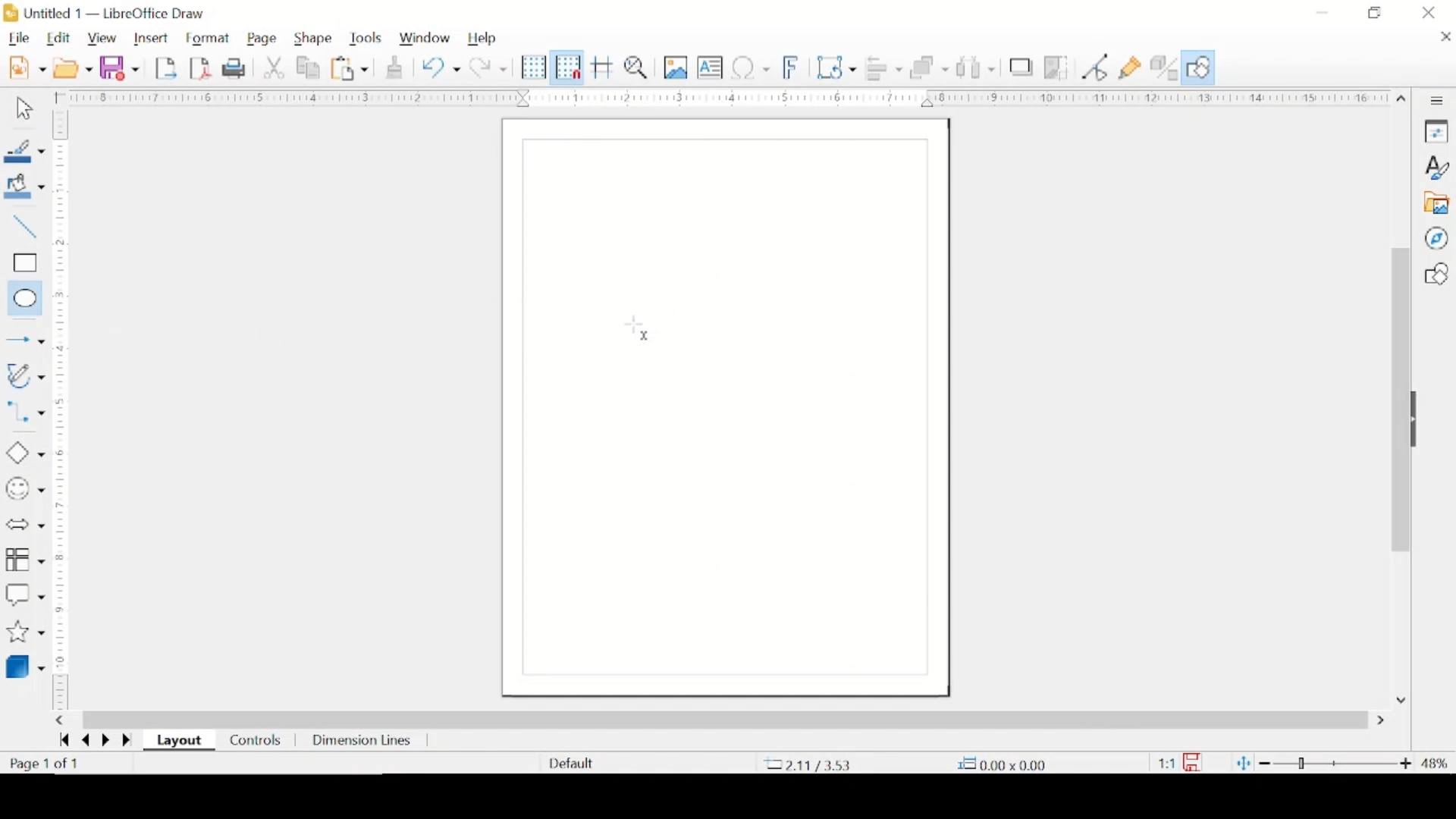 Image resolution: width=1456 pixels, height=819 pixels. I want to click on sidebar settings, so click(1439, 100).